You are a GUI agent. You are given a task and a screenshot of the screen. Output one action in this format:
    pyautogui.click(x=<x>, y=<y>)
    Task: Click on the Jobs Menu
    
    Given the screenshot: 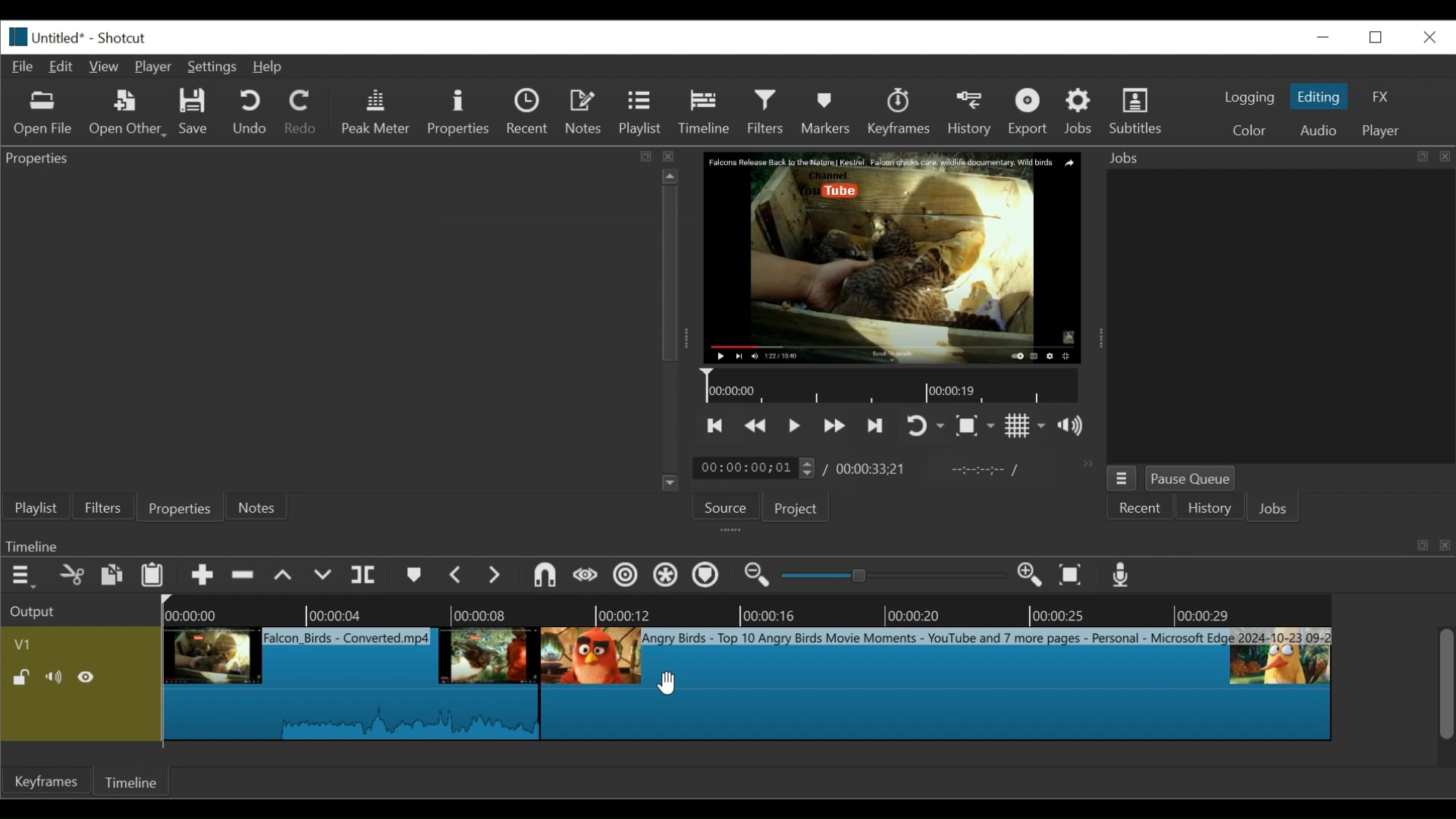 What is the action you would take?
    pyautogui.click(x=1125, y=479)
    